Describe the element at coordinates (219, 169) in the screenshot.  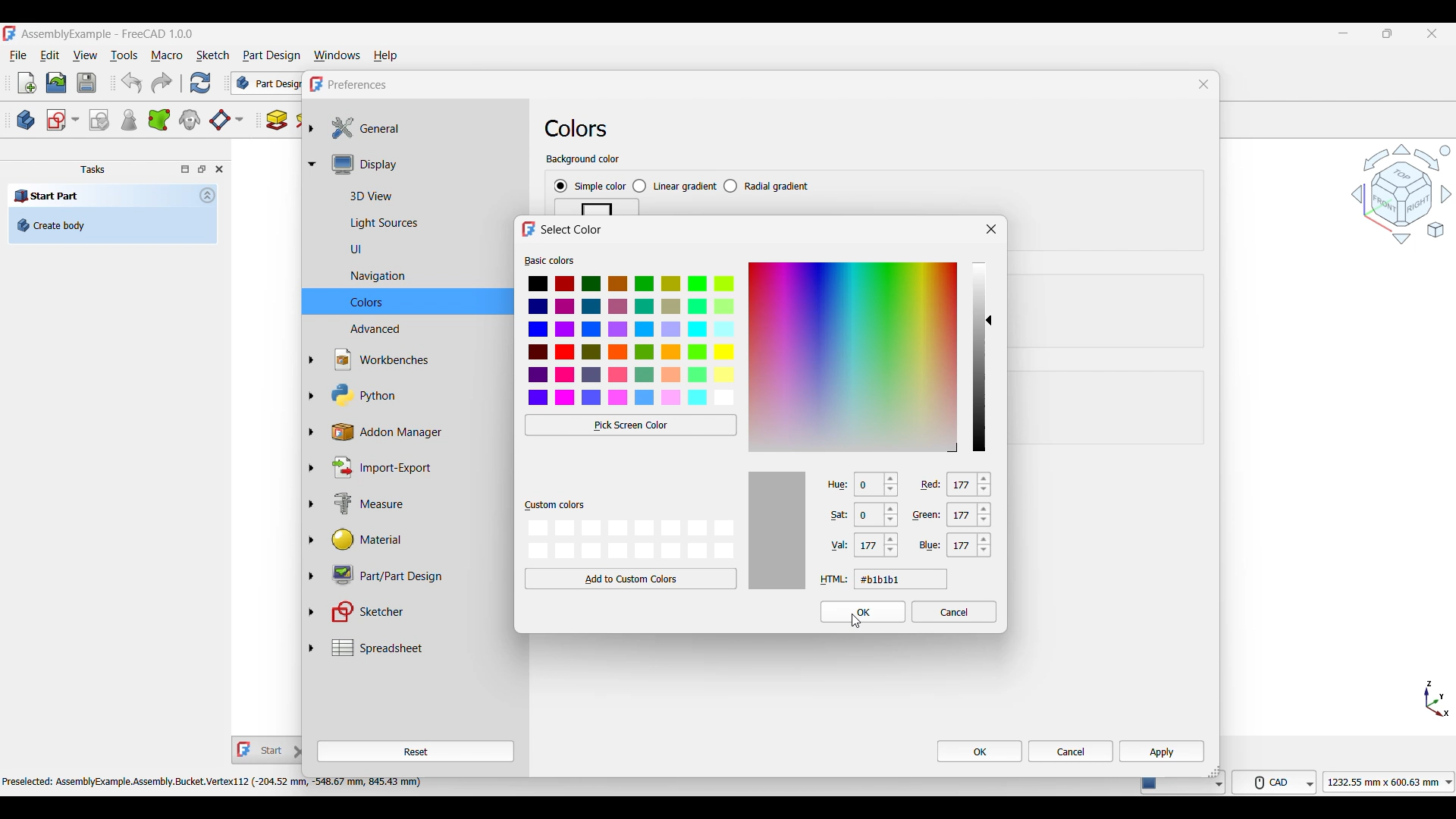
I see `Close` at that location.